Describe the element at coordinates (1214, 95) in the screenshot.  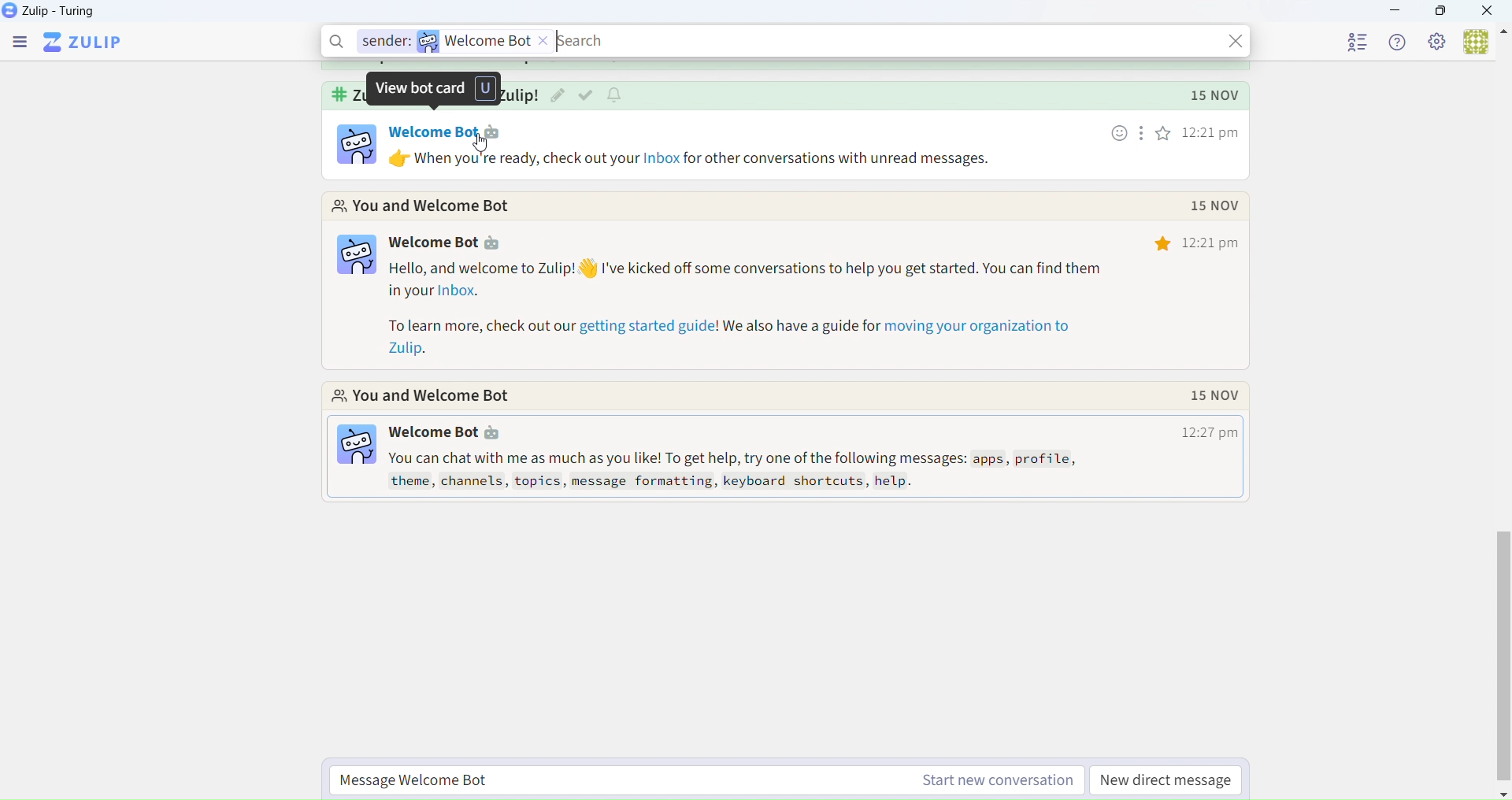
I see `15 NOV` at that location.